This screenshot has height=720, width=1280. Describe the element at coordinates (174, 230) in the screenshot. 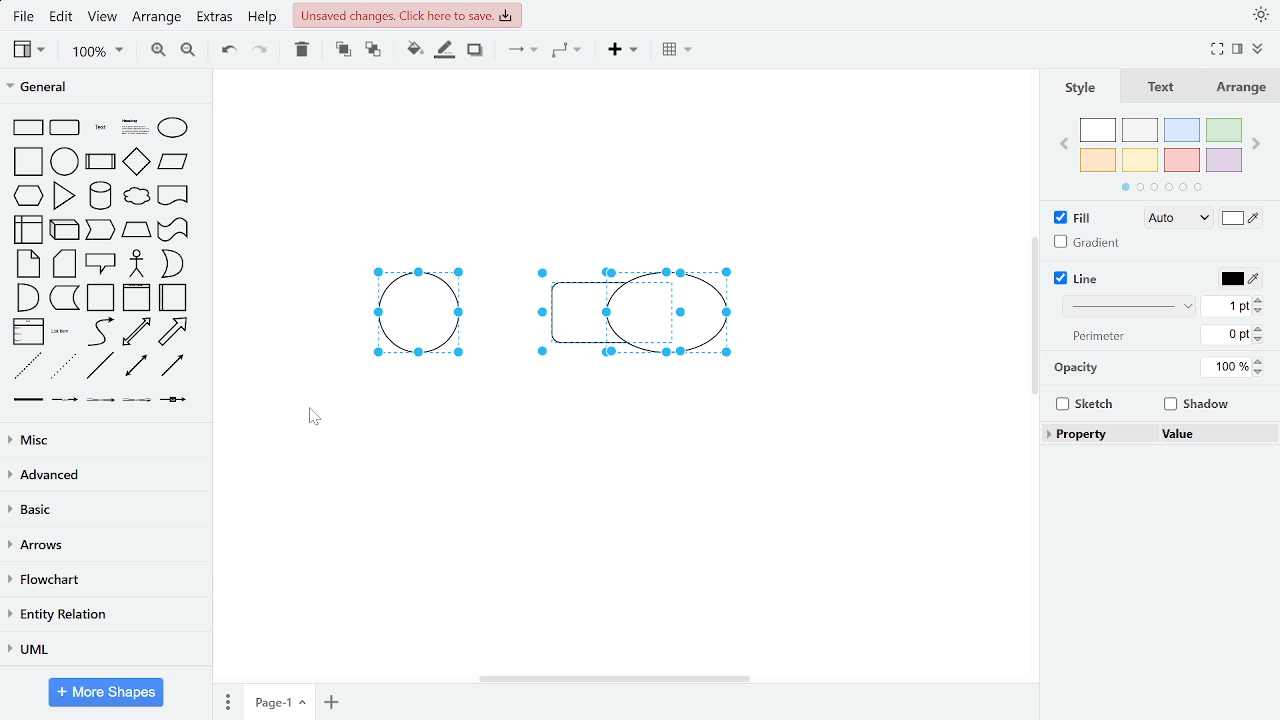

I see `tape` at that location.